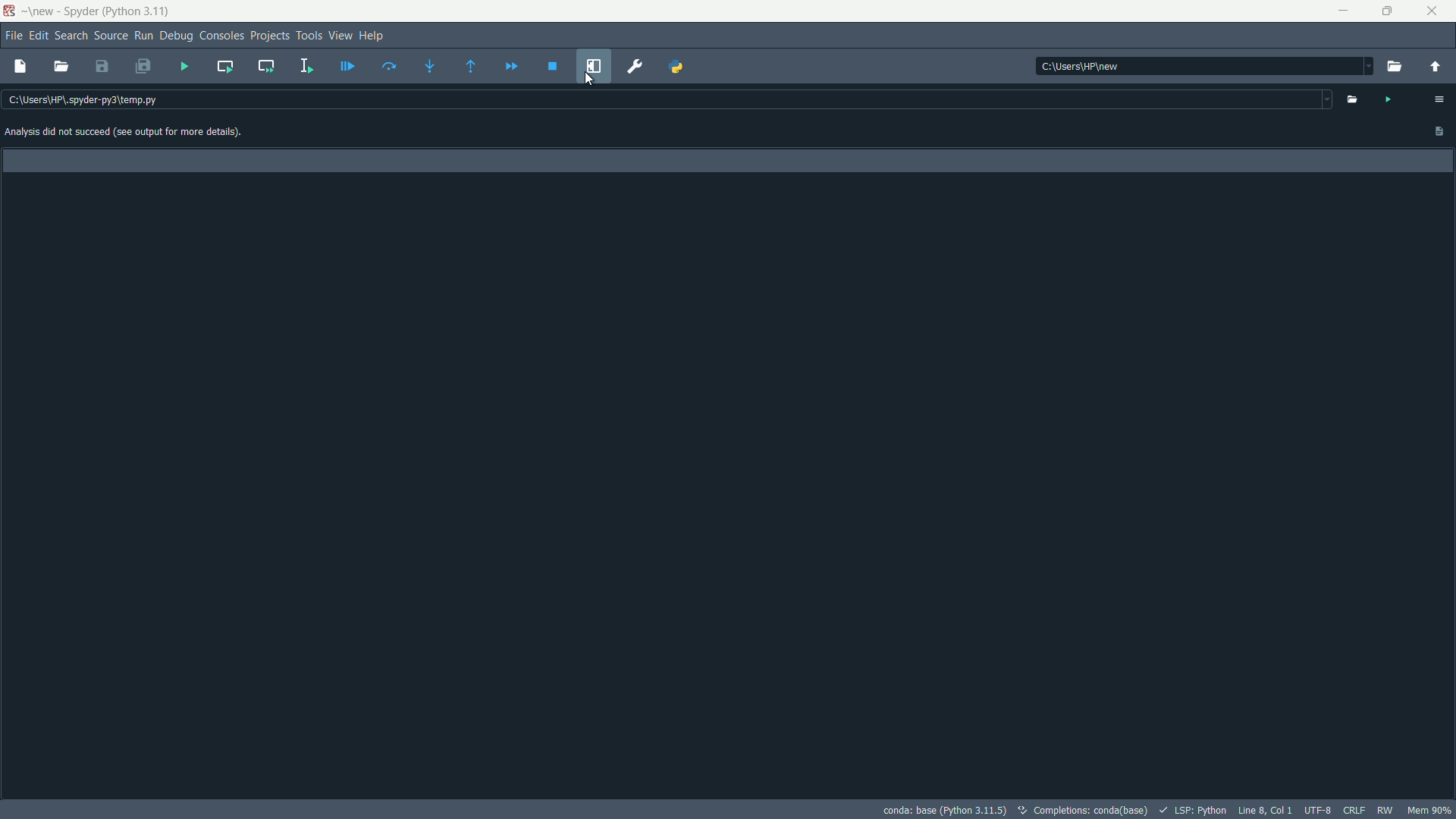 Image resolution: width=1456 pixels, height=819 pixels. I want to click on open file, so click(1353, 99).